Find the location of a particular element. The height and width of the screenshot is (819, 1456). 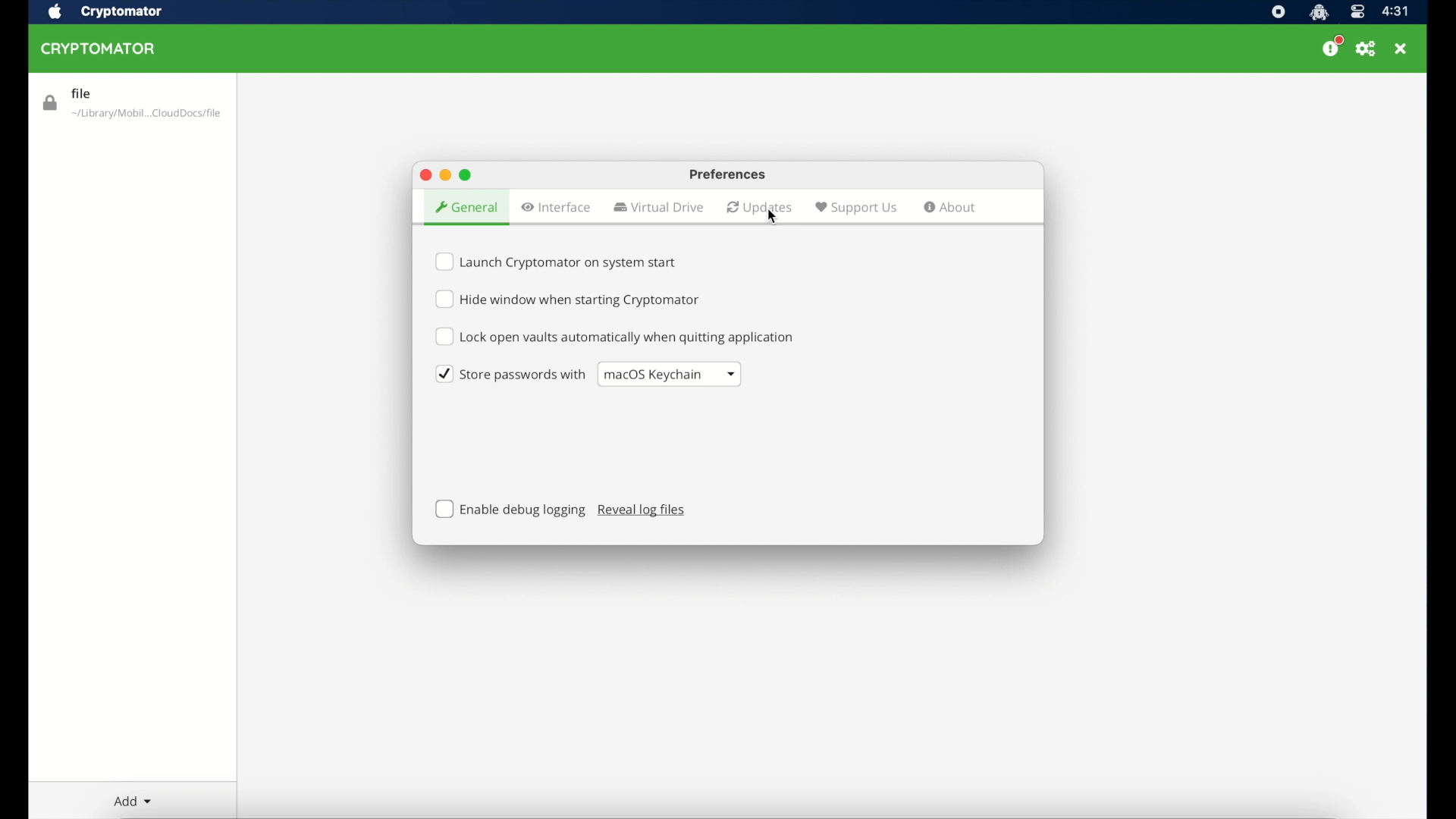

checkbox is located at coordinates (566, 299).